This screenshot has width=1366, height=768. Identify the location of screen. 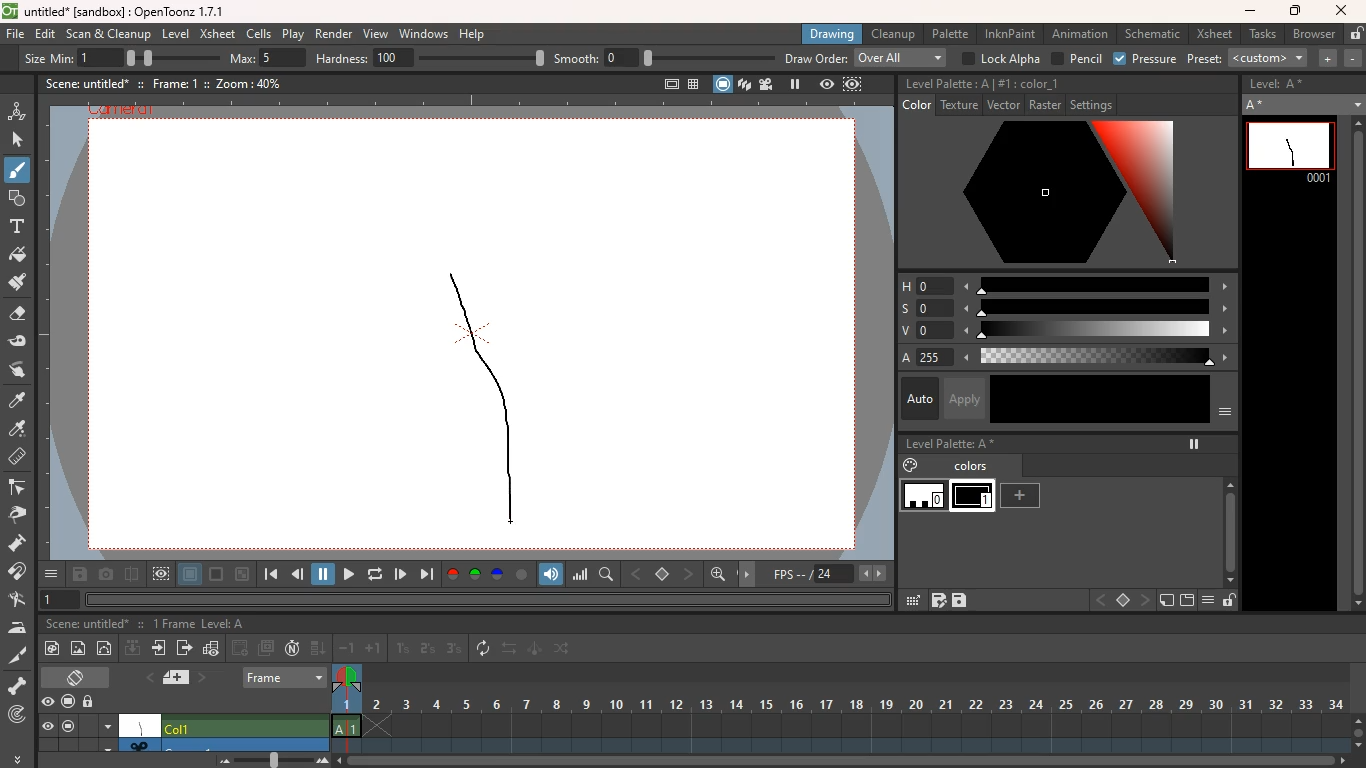
(1187, 601).